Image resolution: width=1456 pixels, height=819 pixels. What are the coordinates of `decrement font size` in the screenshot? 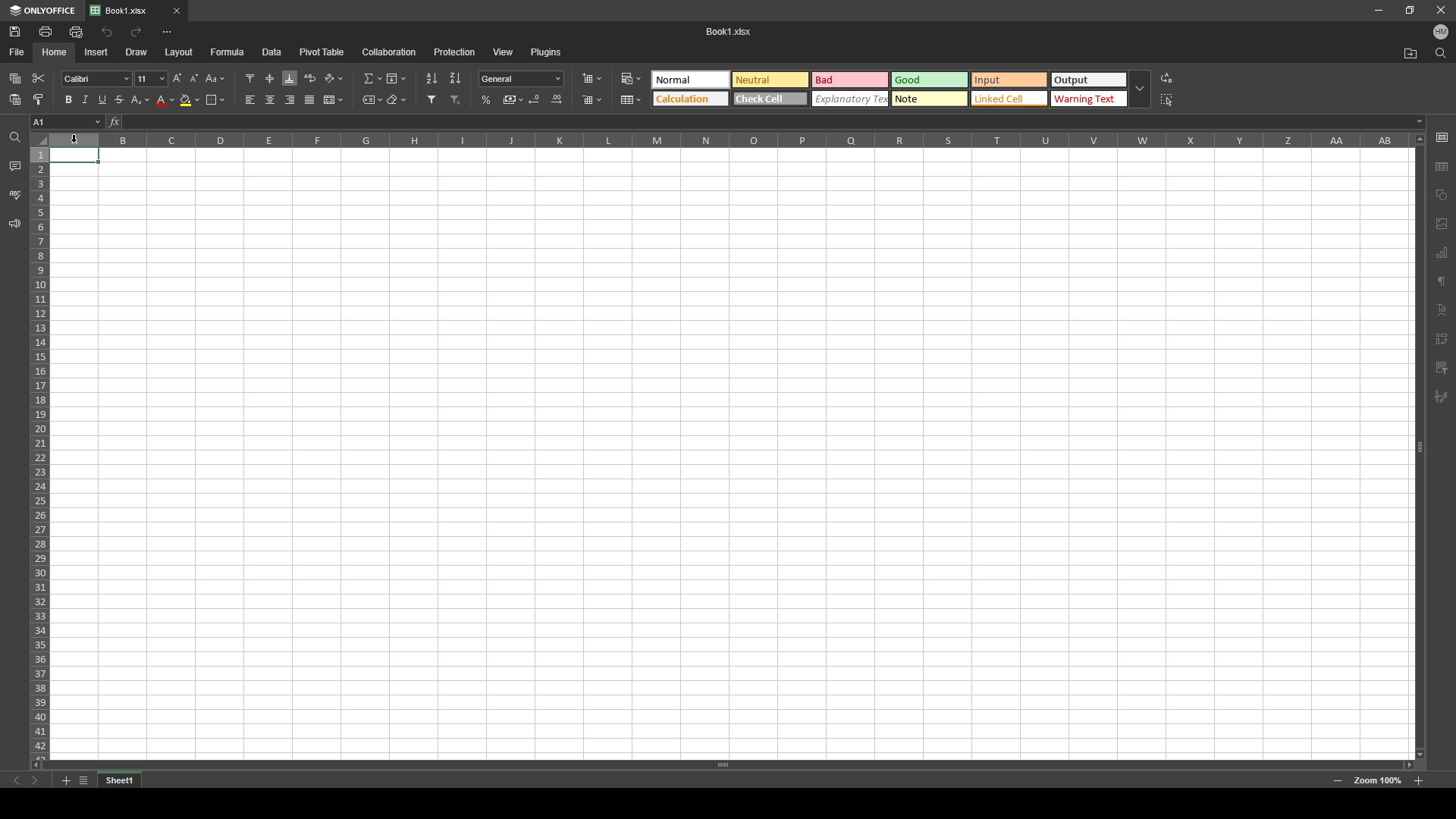 It's located at (194, 78).